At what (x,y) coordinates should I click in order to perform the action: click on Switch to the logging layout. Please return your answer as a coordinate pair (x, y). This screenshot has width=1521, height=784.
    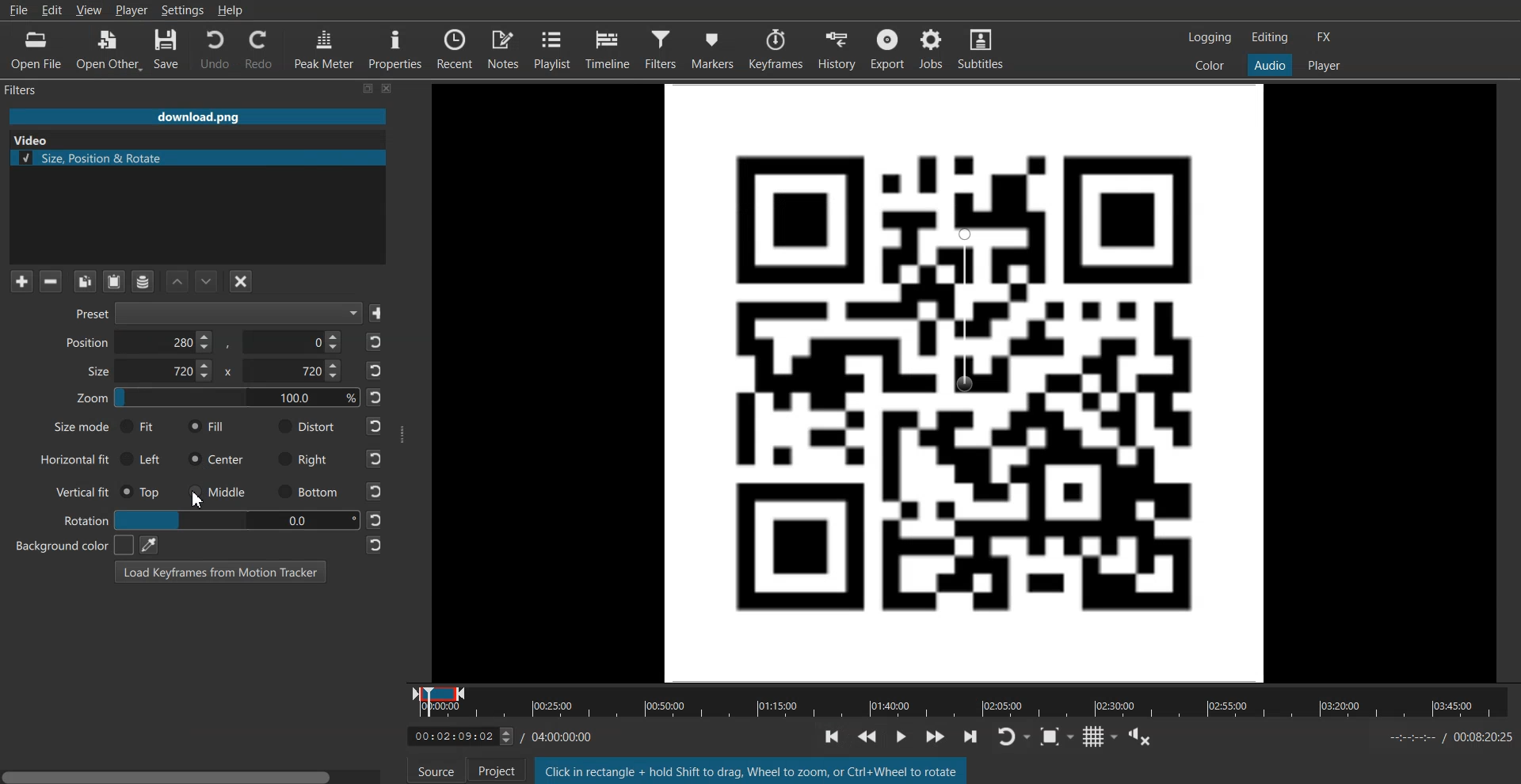
    Looking at the image, I should click on (1210, 38).